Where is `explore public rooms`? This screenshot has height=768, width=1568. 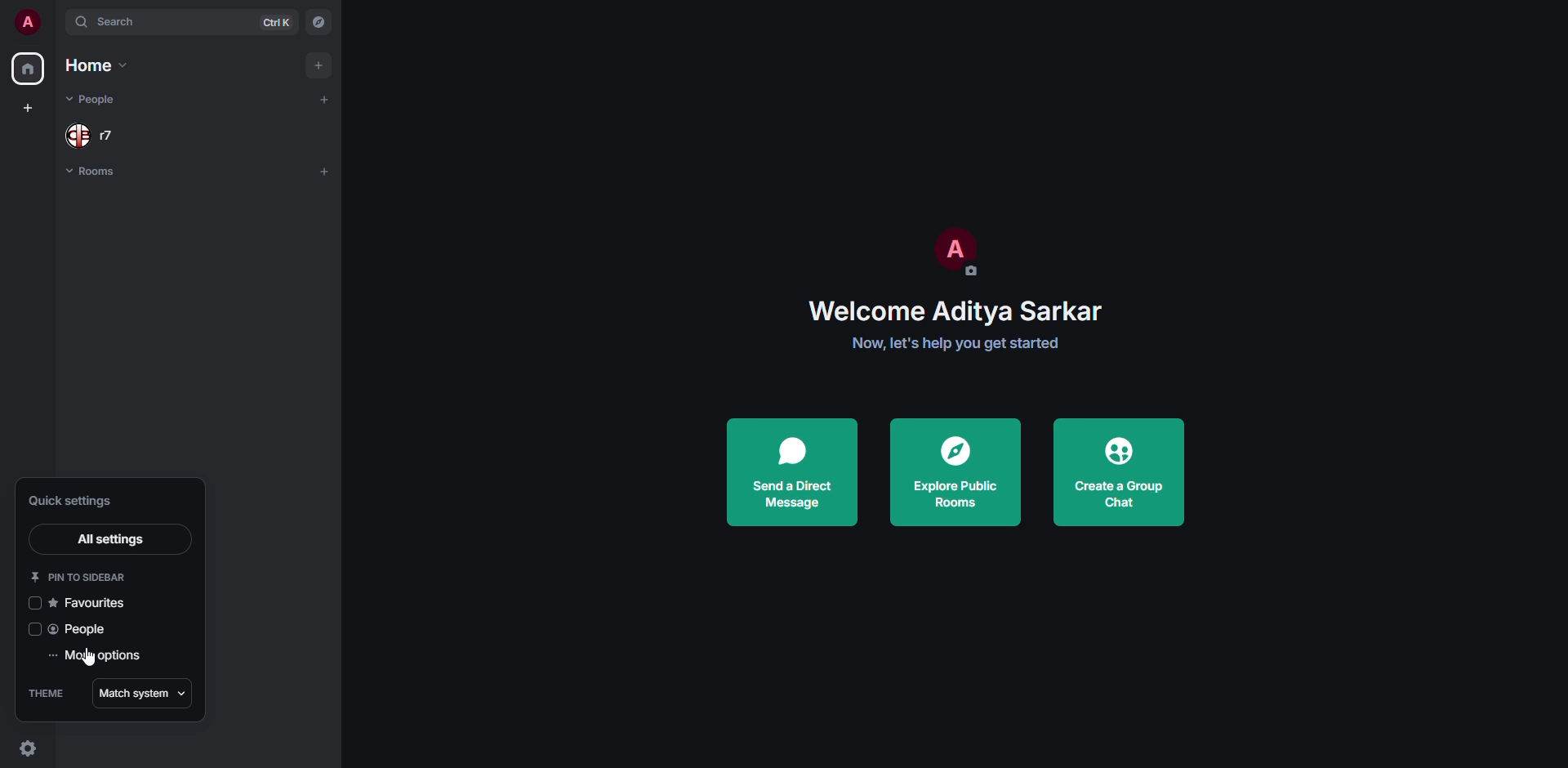
explore public rooms is located at coordinates (960, 470).